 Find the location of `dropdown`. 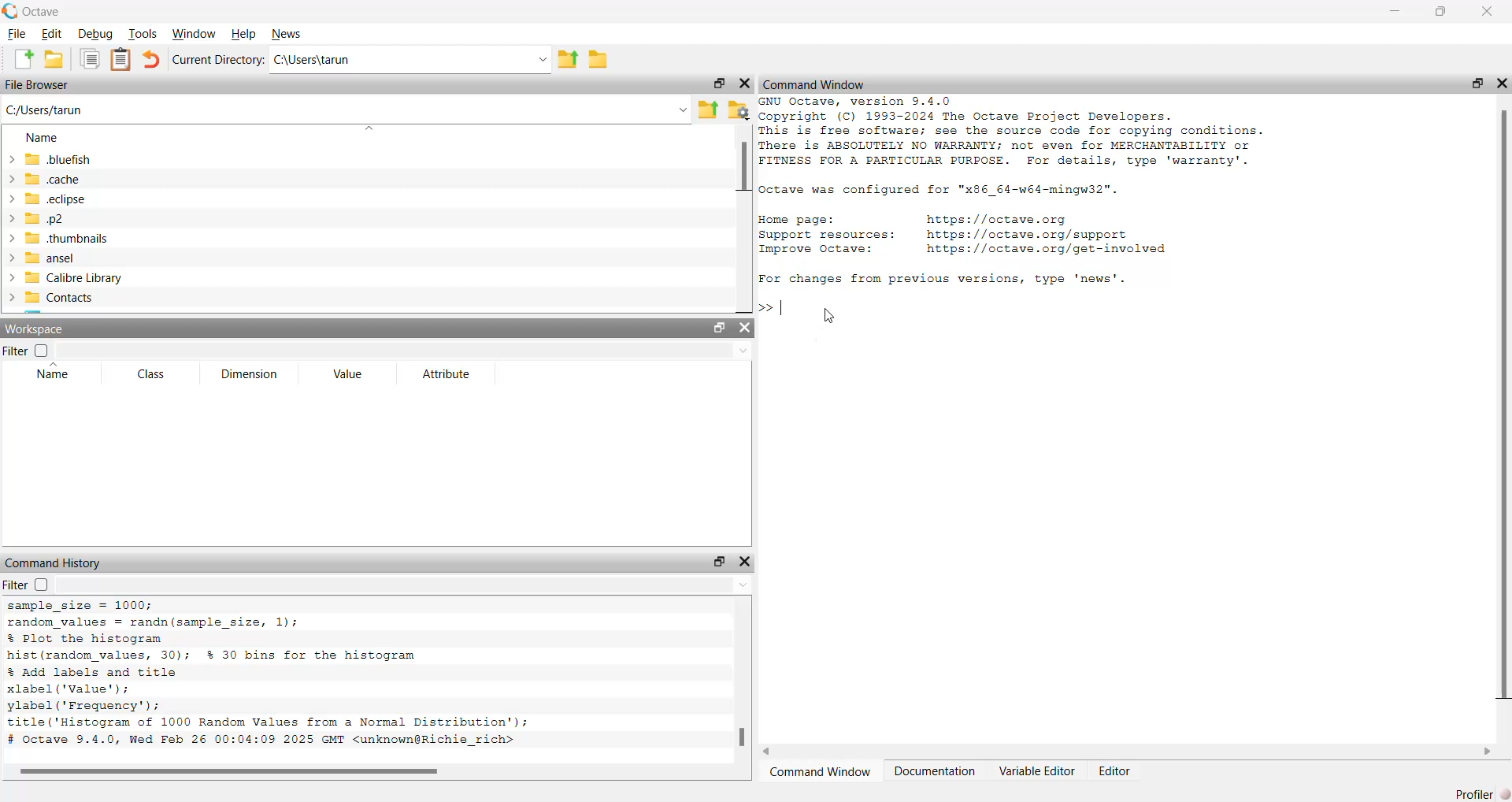

dropdown is located at coordinates (682, 110).